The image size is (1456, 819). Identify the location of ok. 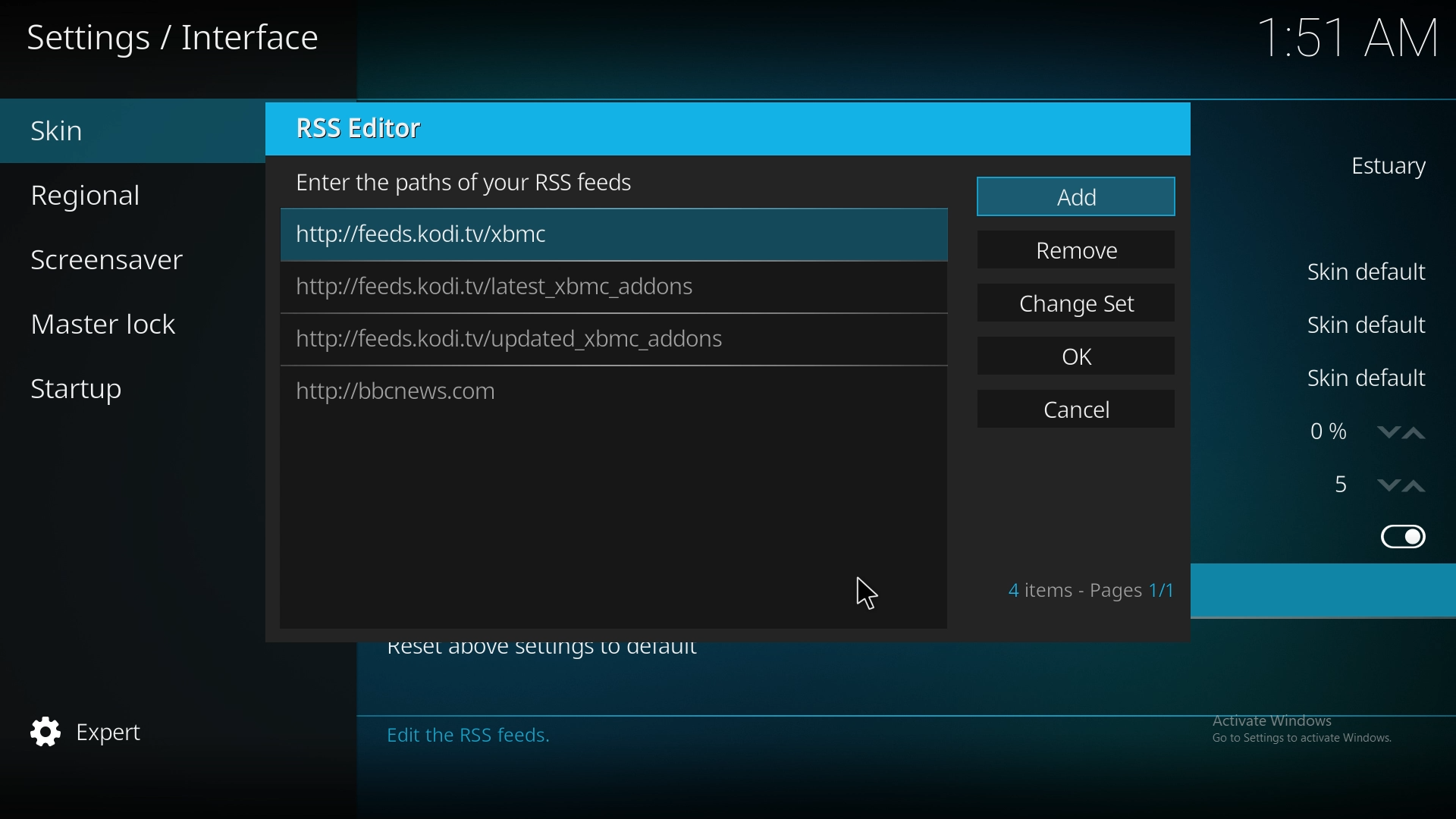
(1079, 352).